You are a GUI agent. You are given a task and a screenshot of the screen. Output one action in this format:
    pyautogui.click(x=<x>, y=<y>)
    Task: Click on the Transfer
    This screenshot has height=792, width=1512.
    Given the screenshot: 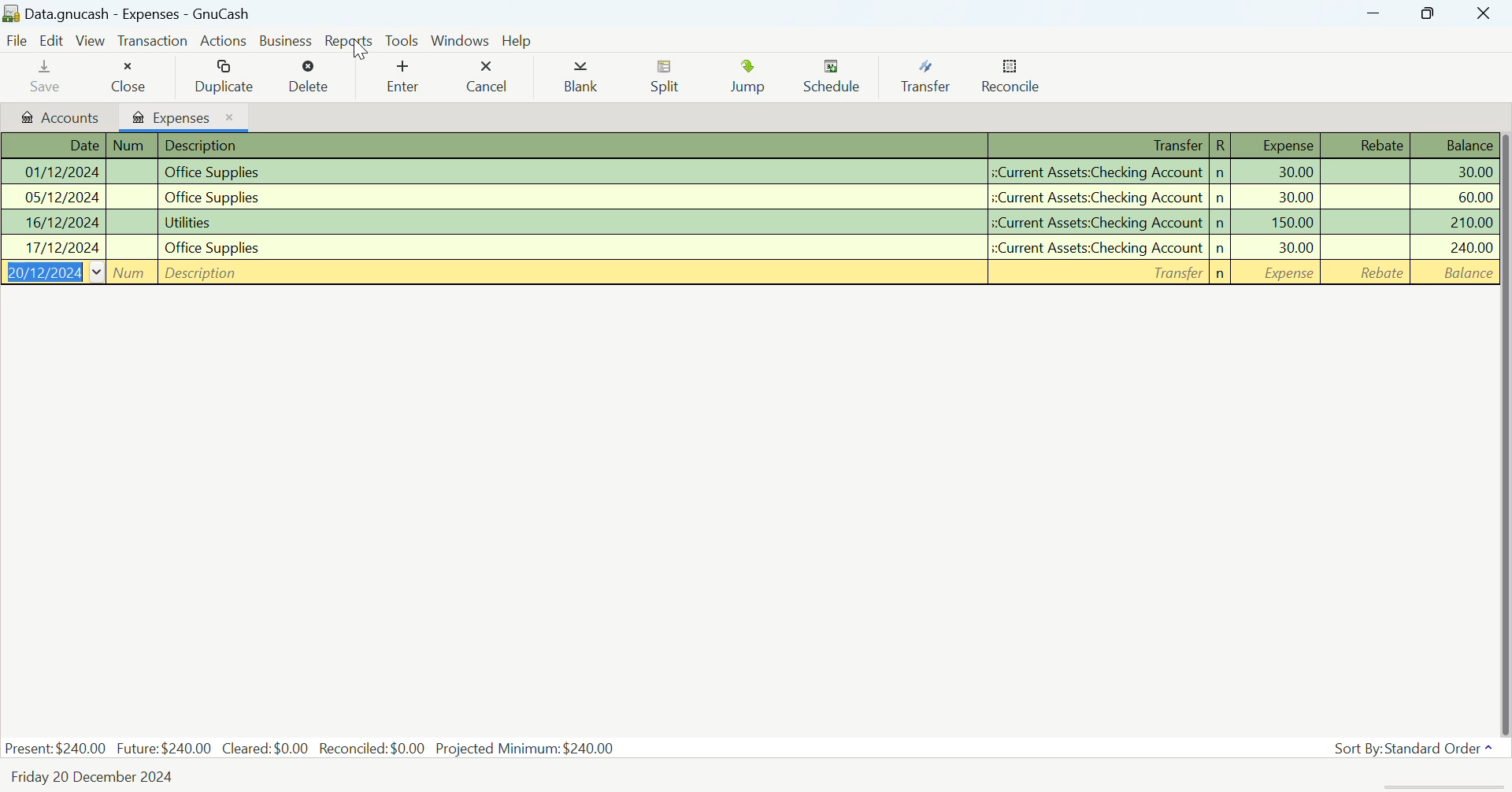 What is the action you would take?
    pyautogui.click(x=925, y=77)
    